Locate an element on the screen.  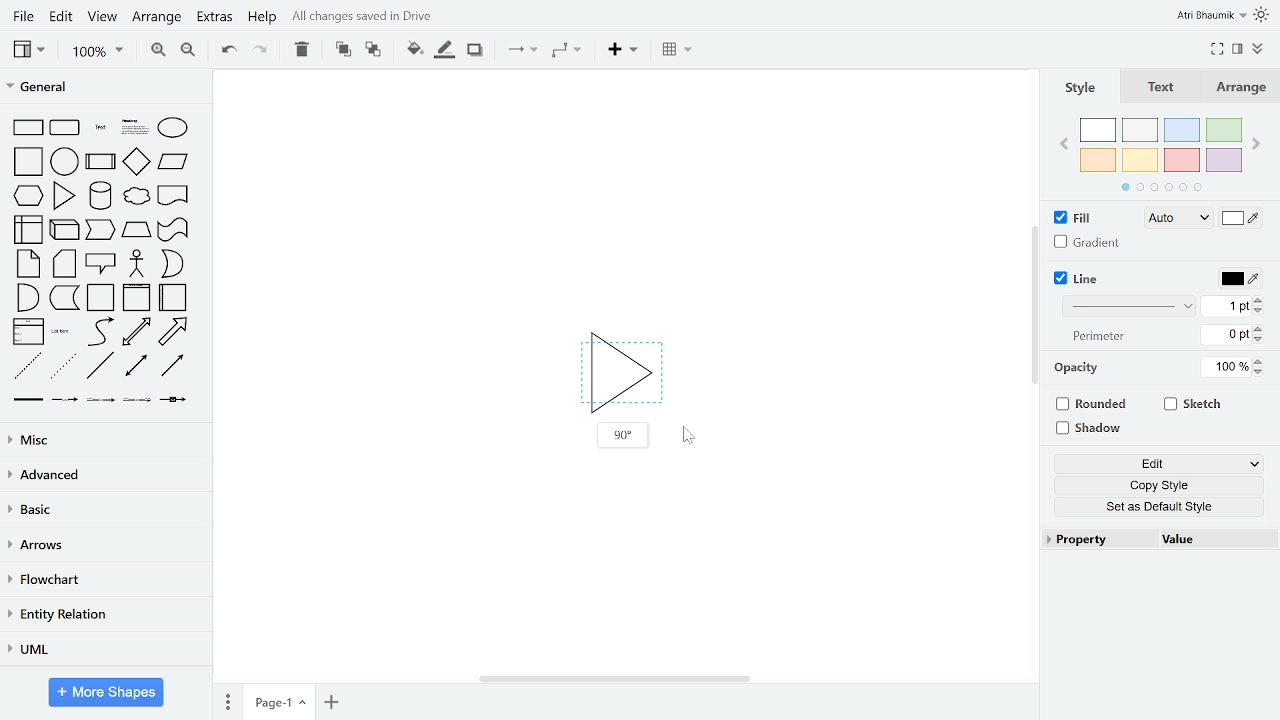
or is located at coordinates (171, 264).